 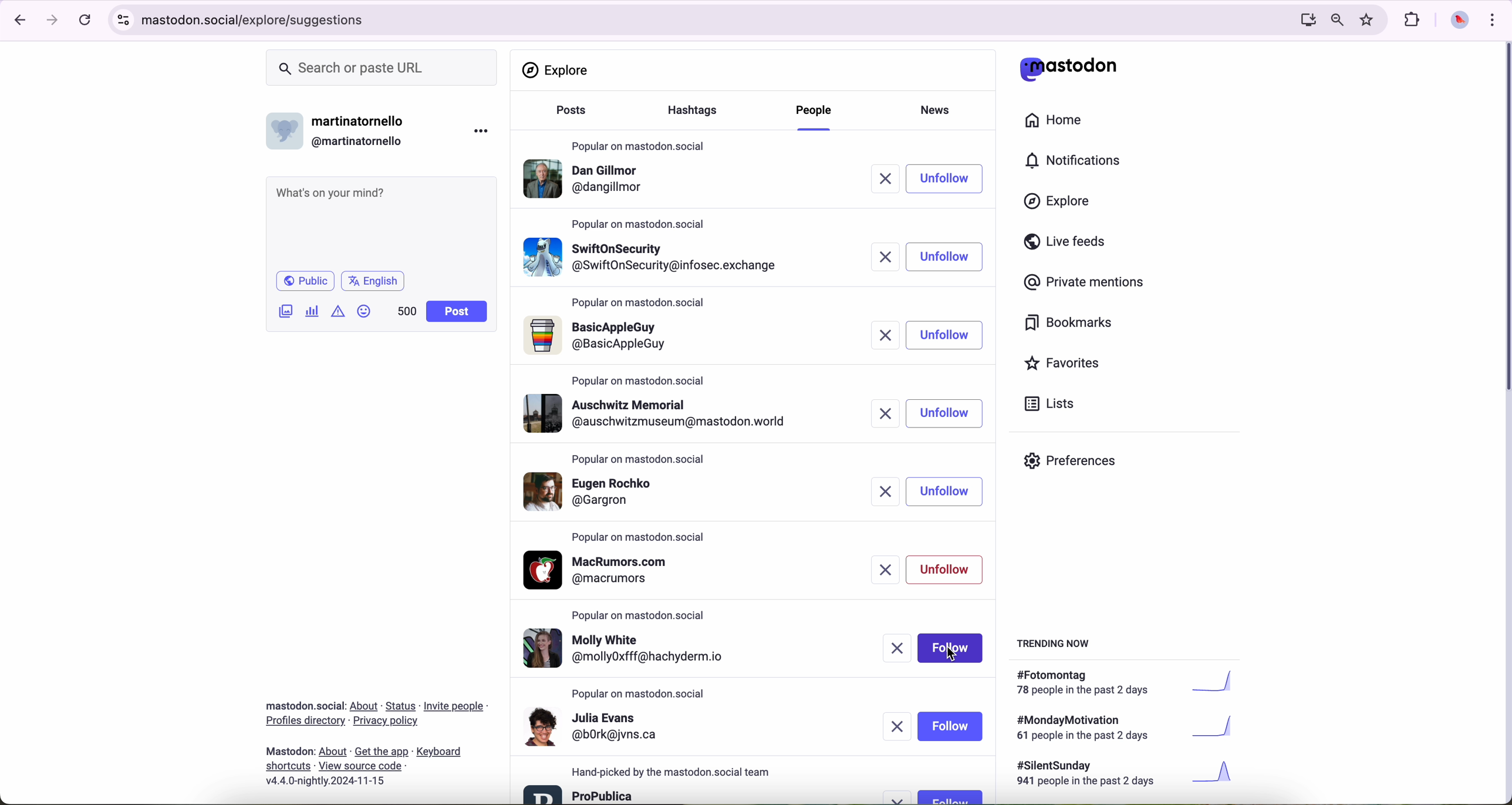 I want to click on click on people, so click(x=816, y=116).